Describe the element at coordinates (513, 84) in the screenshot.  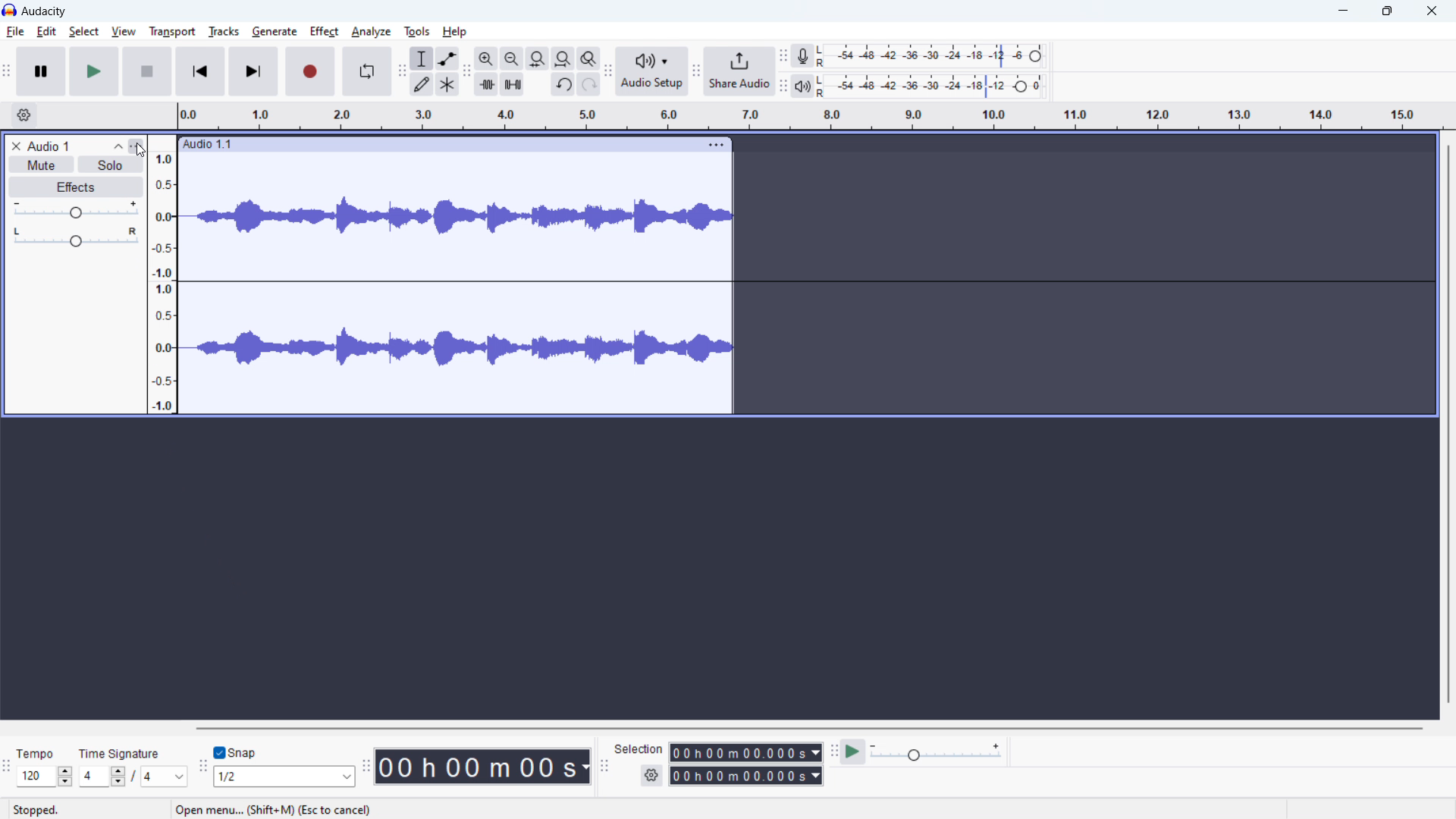
I see `silence audio selection` at that location.